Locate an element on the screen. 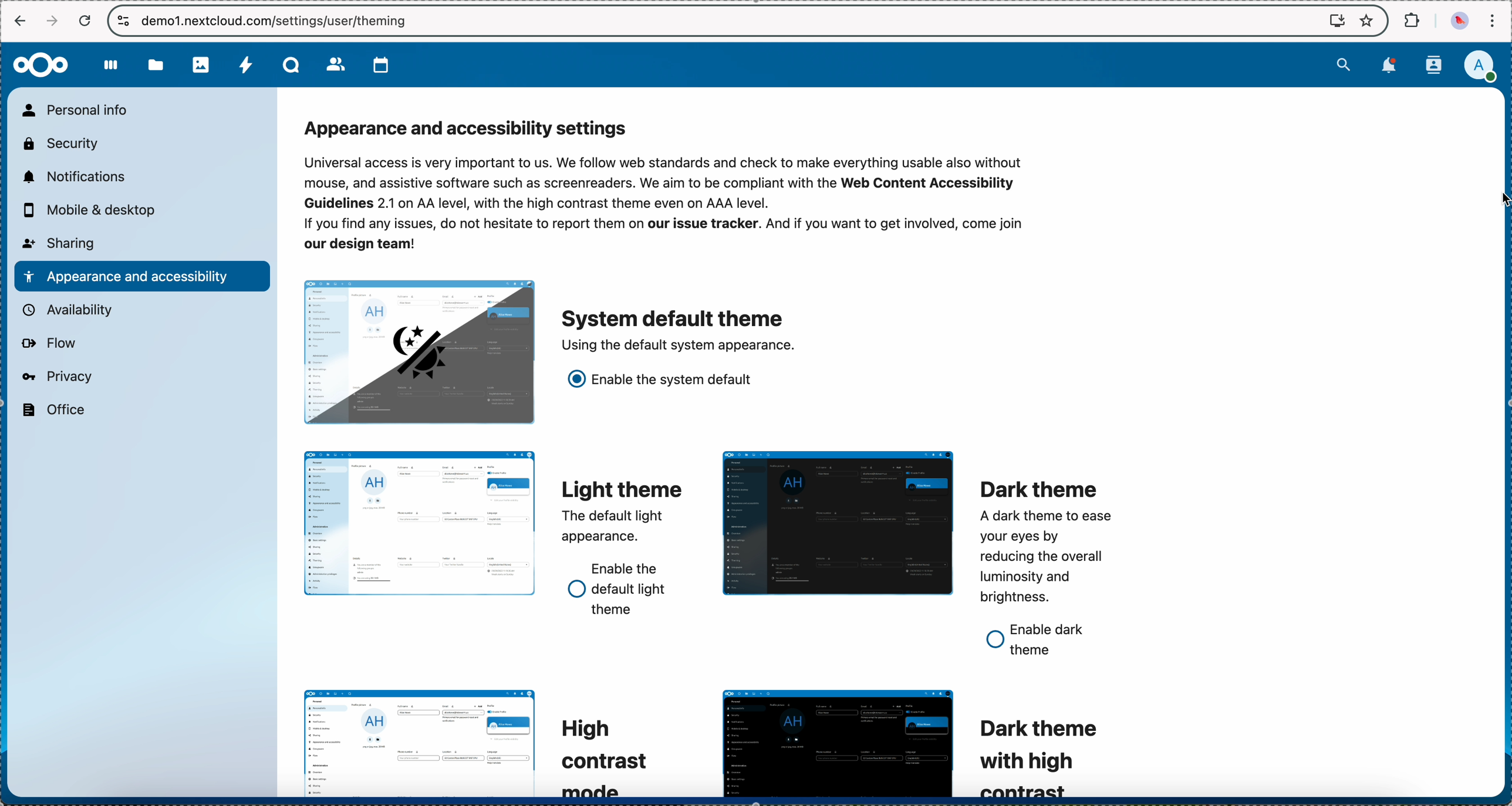 The width and height of the screenshot is (1512, 806). refresh the page is located at coordinates (86, 21).